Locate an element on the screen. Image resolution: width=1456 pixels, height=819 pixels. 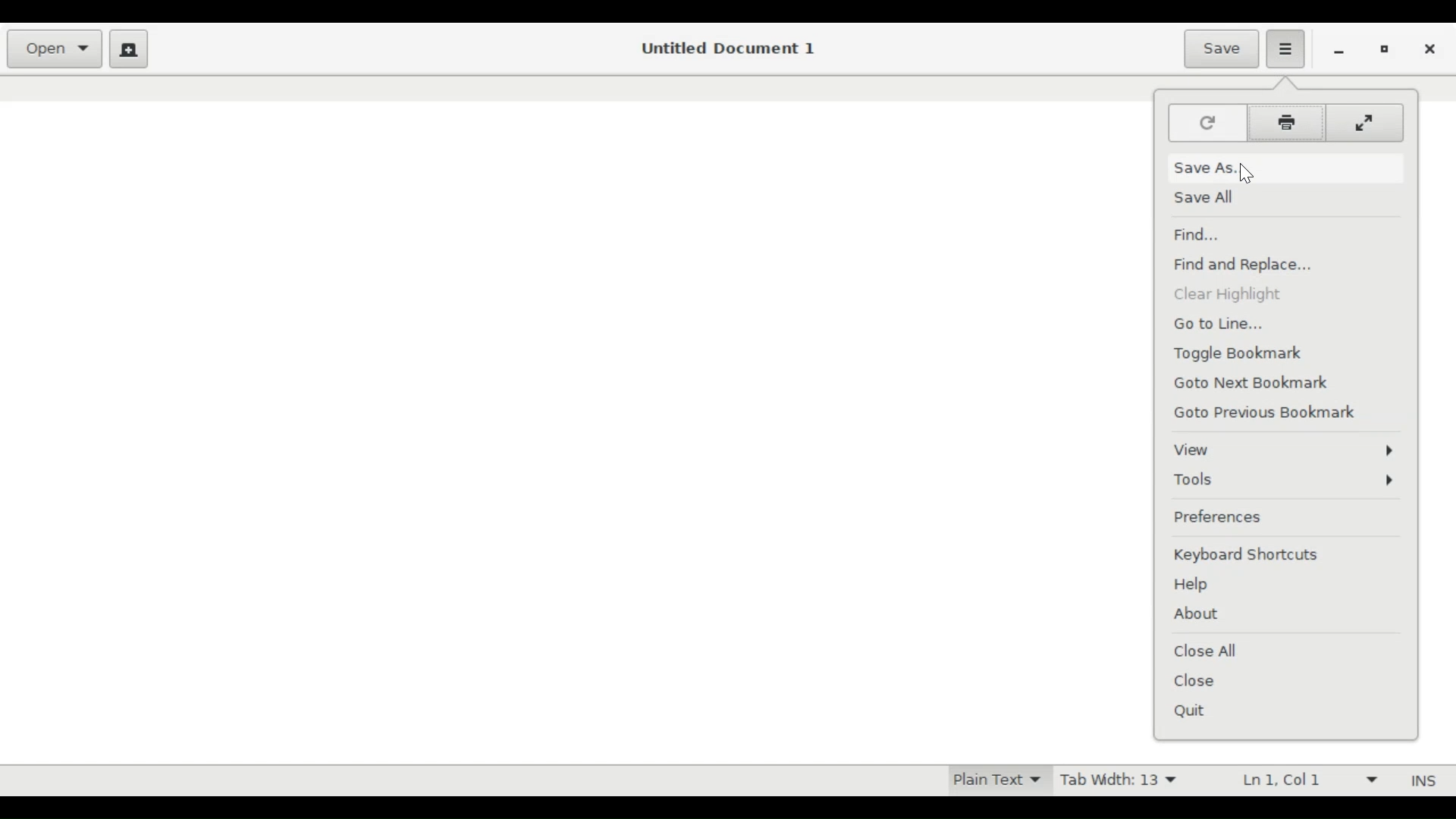
Save is located at coordinates (1222, 50).